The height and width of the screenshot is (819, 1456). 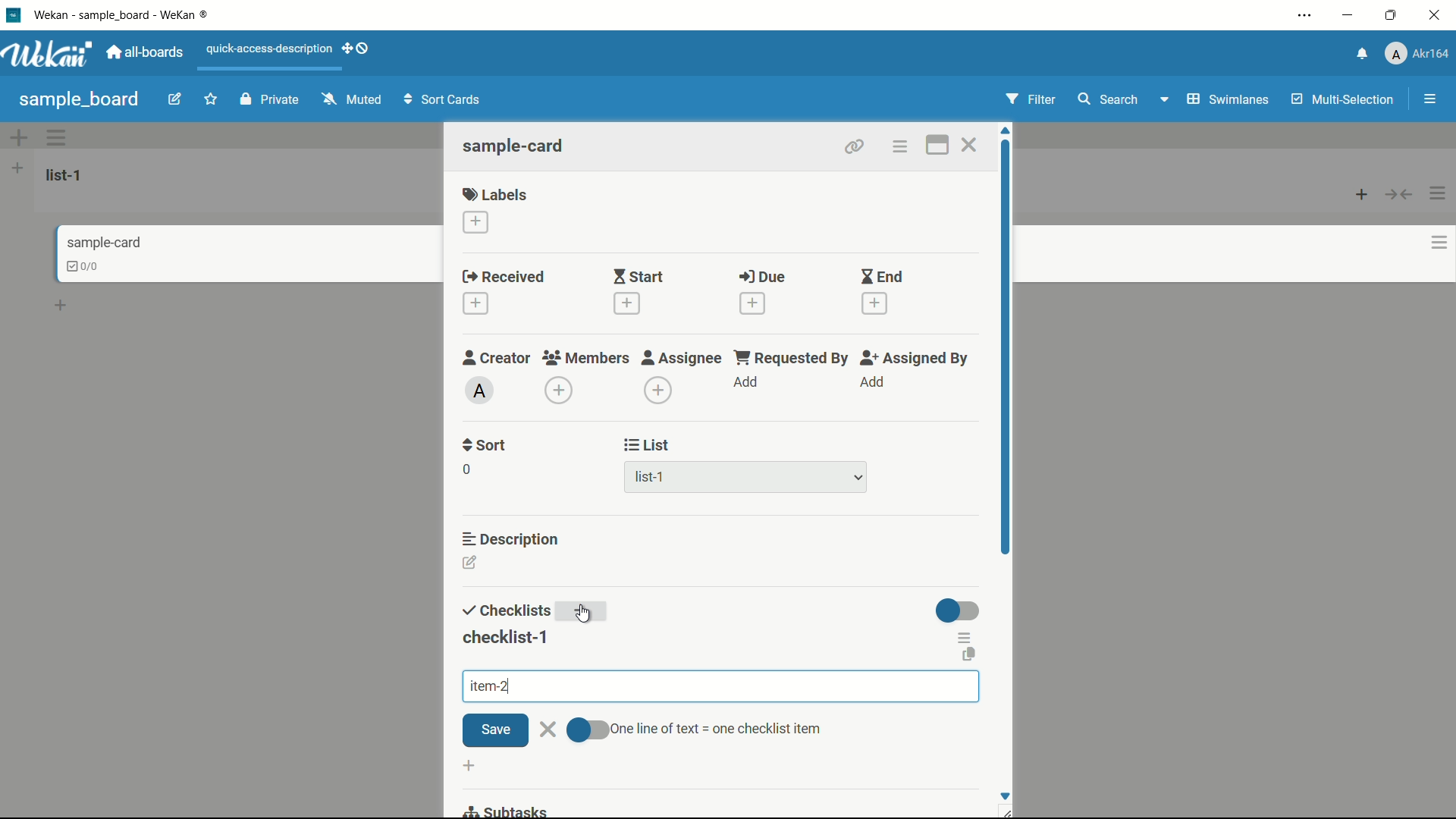 What do you see at coordinates (721, 686) in the screenshot?
I see `item name input bar` at bounding box center [721, 686].